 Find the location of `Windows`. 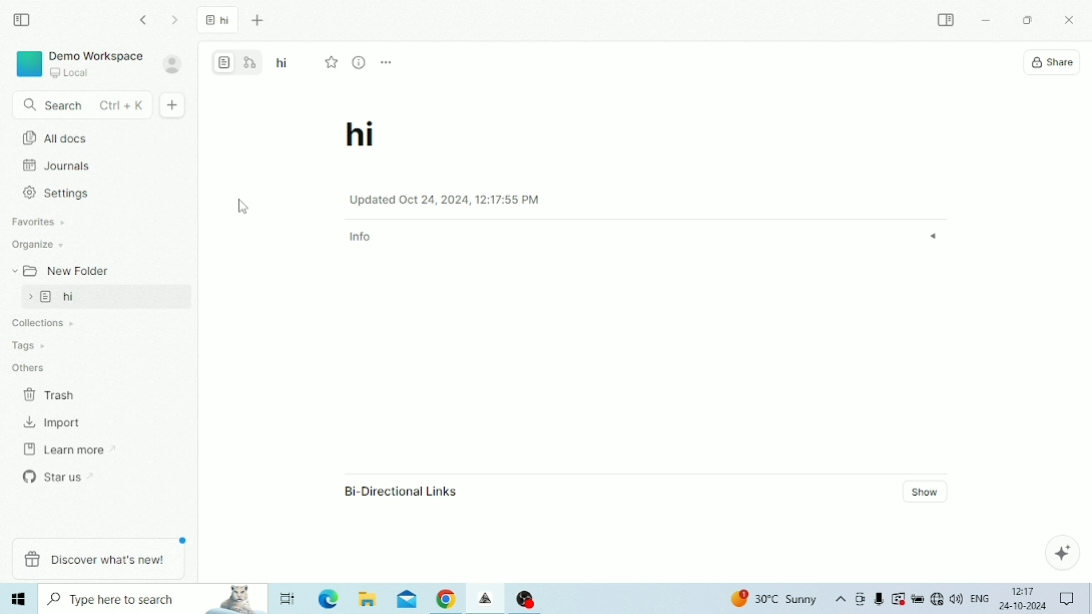

Windows is located at coordinates (20, 599).